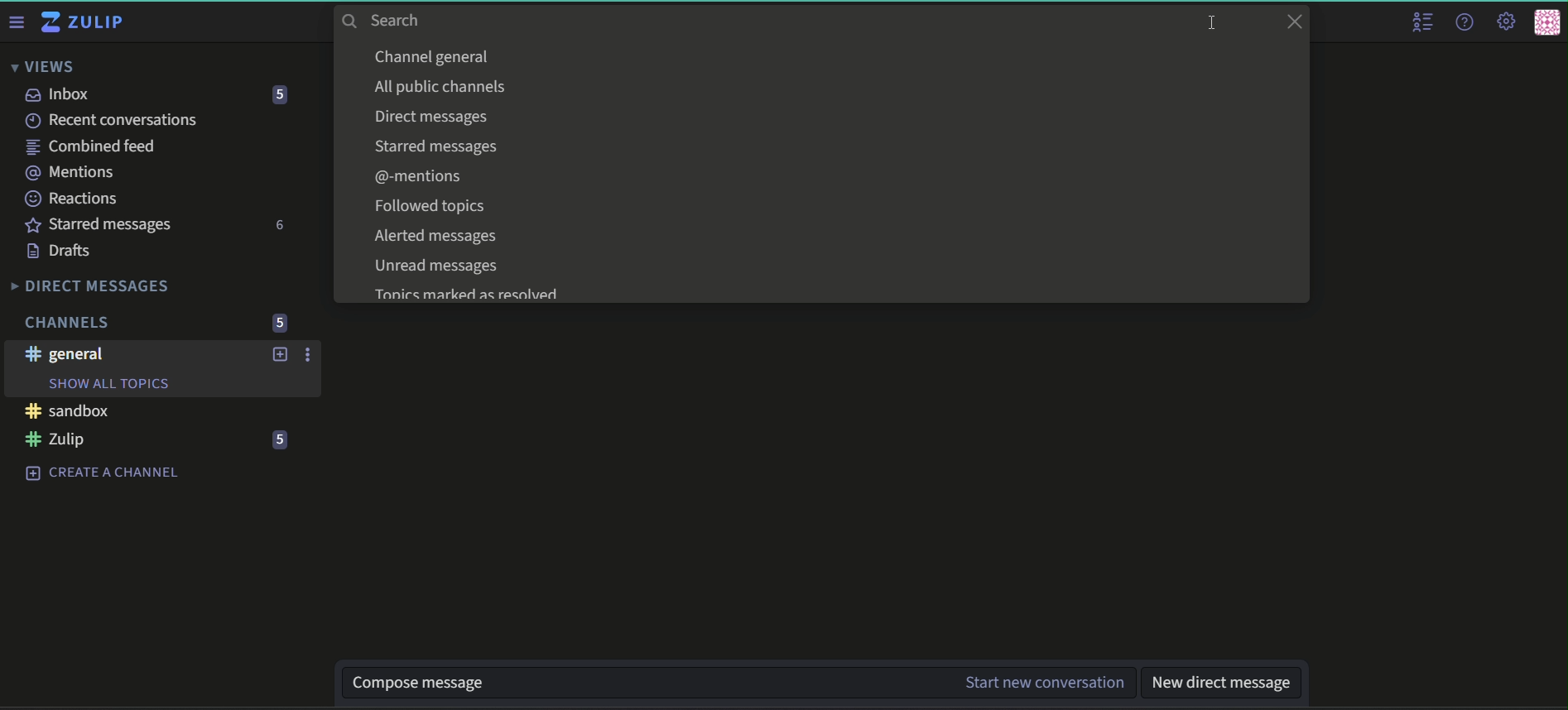  What do you see at coordinates (64, 354) in the screenshot?
I see `#general` at bounding box center [64, 354].